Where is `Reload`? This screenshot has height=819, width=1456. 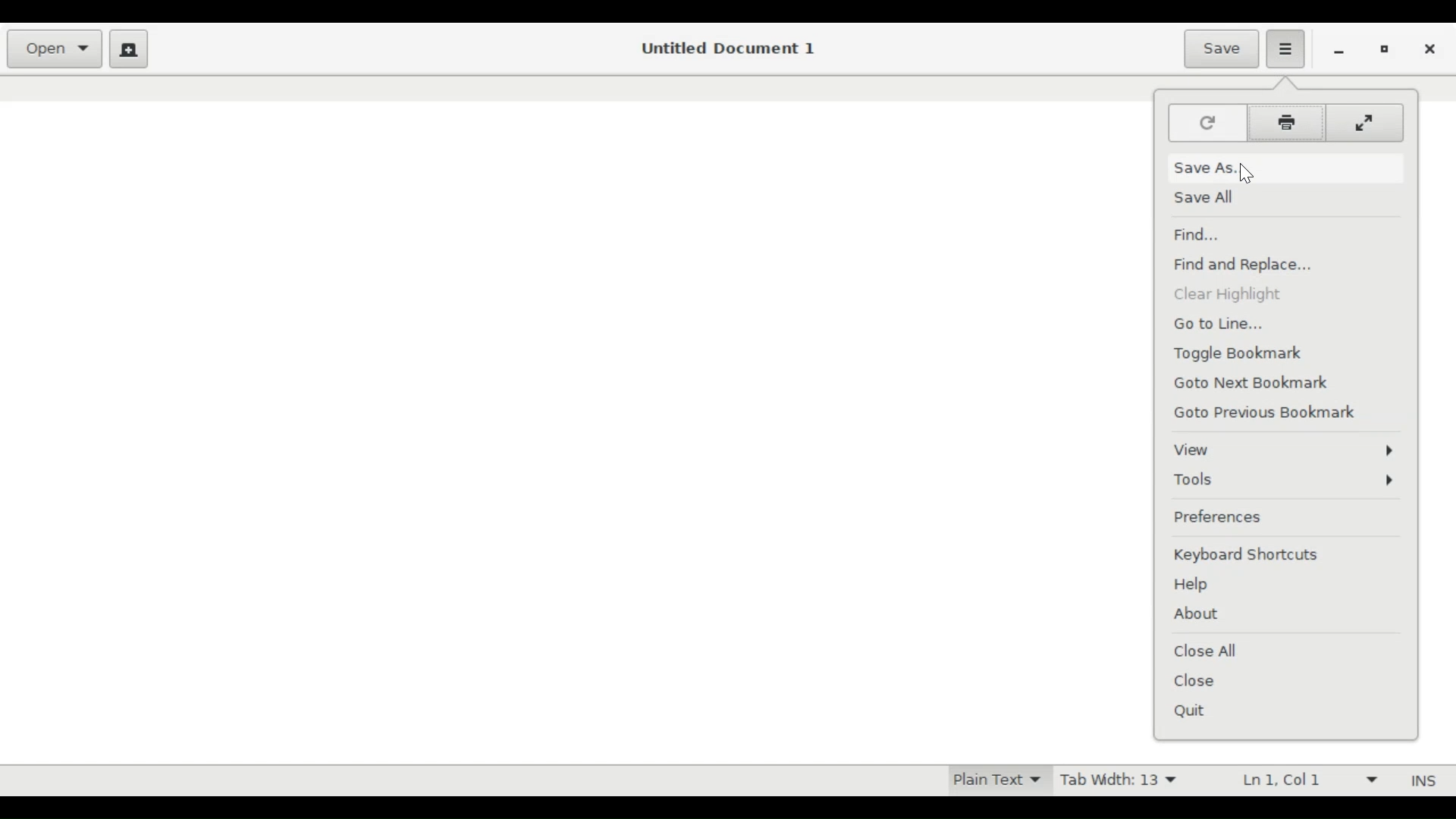
Reload is located at coordinates (1210, 124).